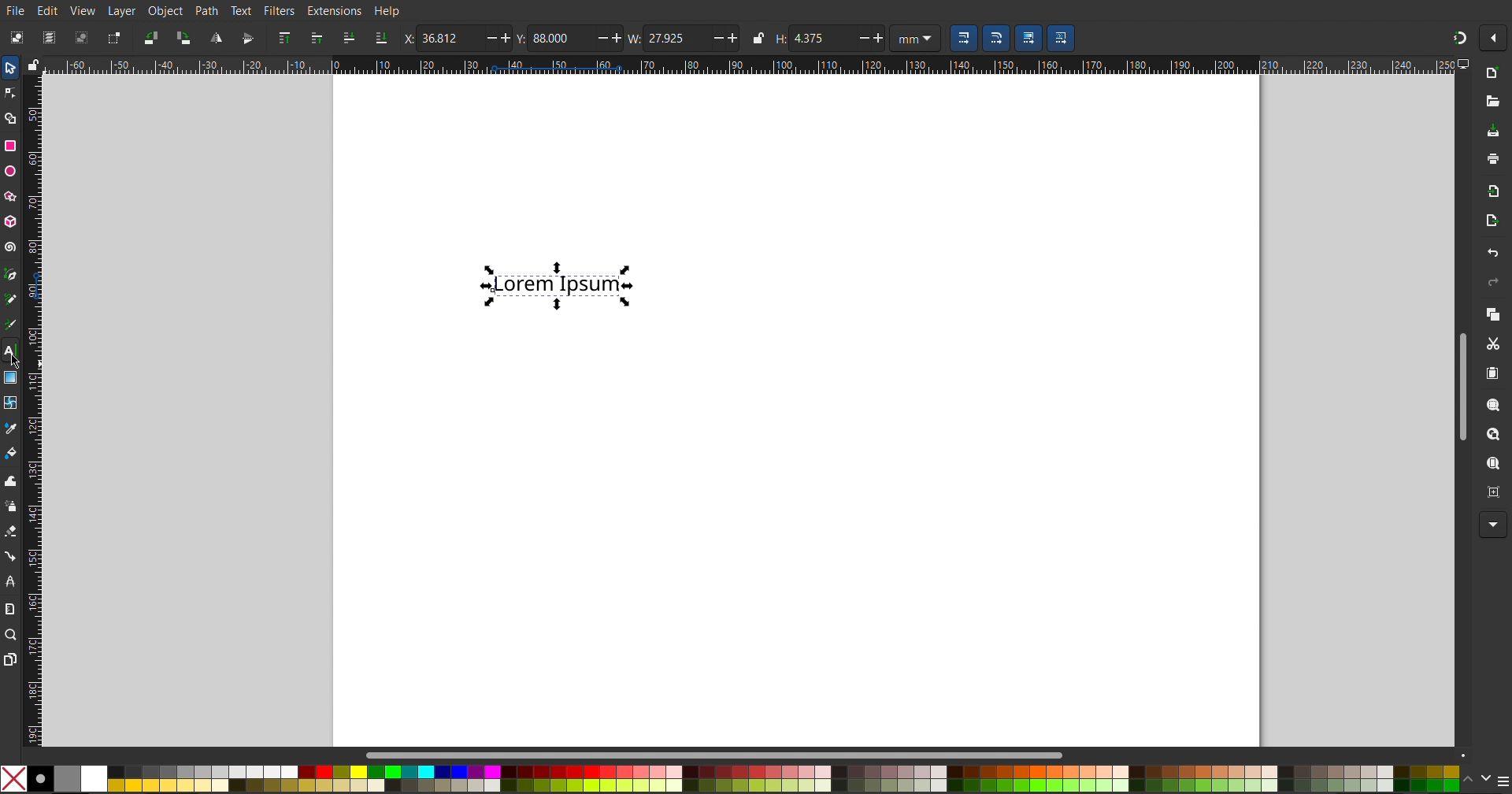 The width and height of the screenshot is (1512, 794). I want to click on Deselected any objects, so click(81, 37).